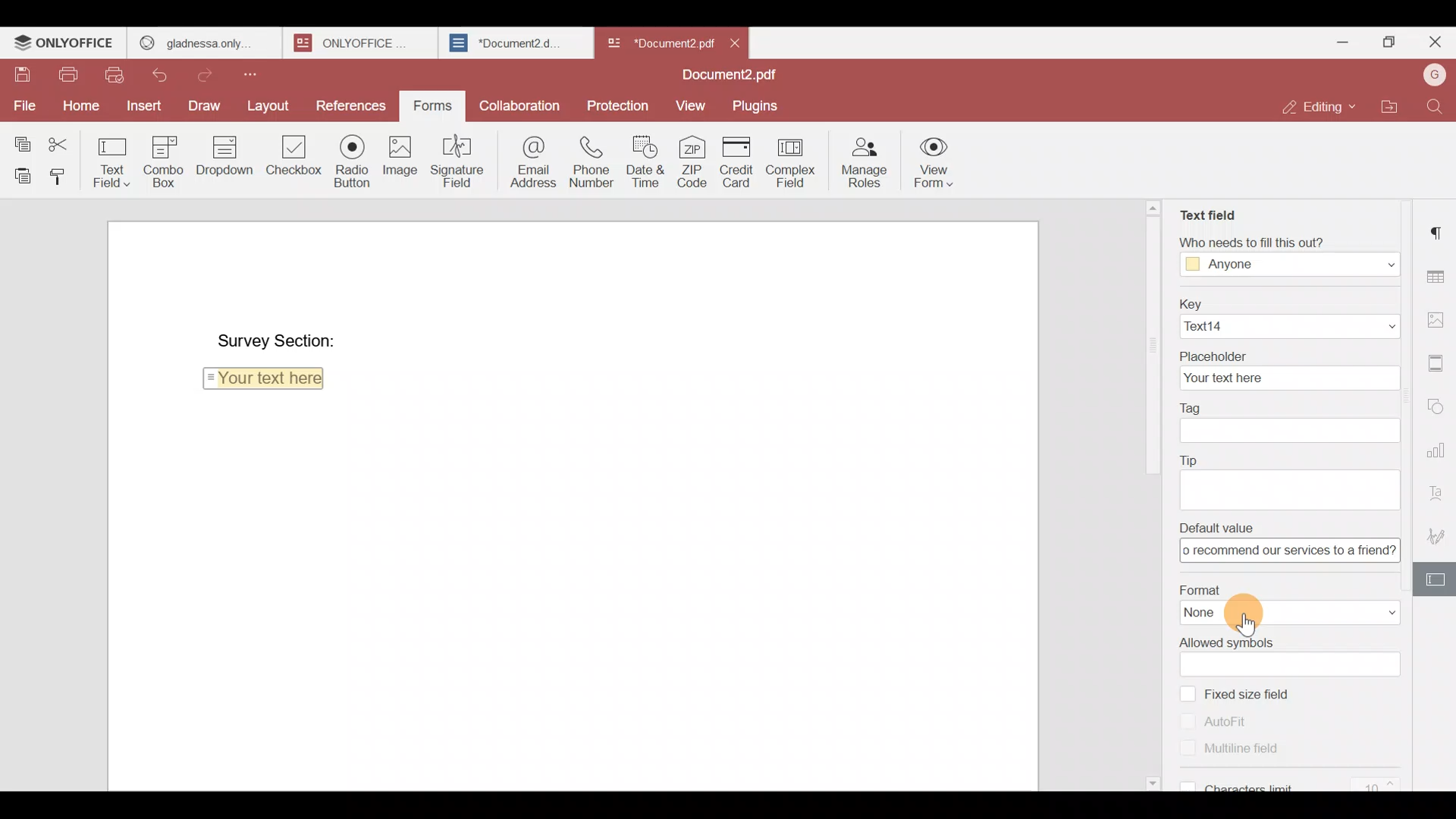 This screenshot has width=1456, height=819. I want to click on Cursor, so click(1256, 626).